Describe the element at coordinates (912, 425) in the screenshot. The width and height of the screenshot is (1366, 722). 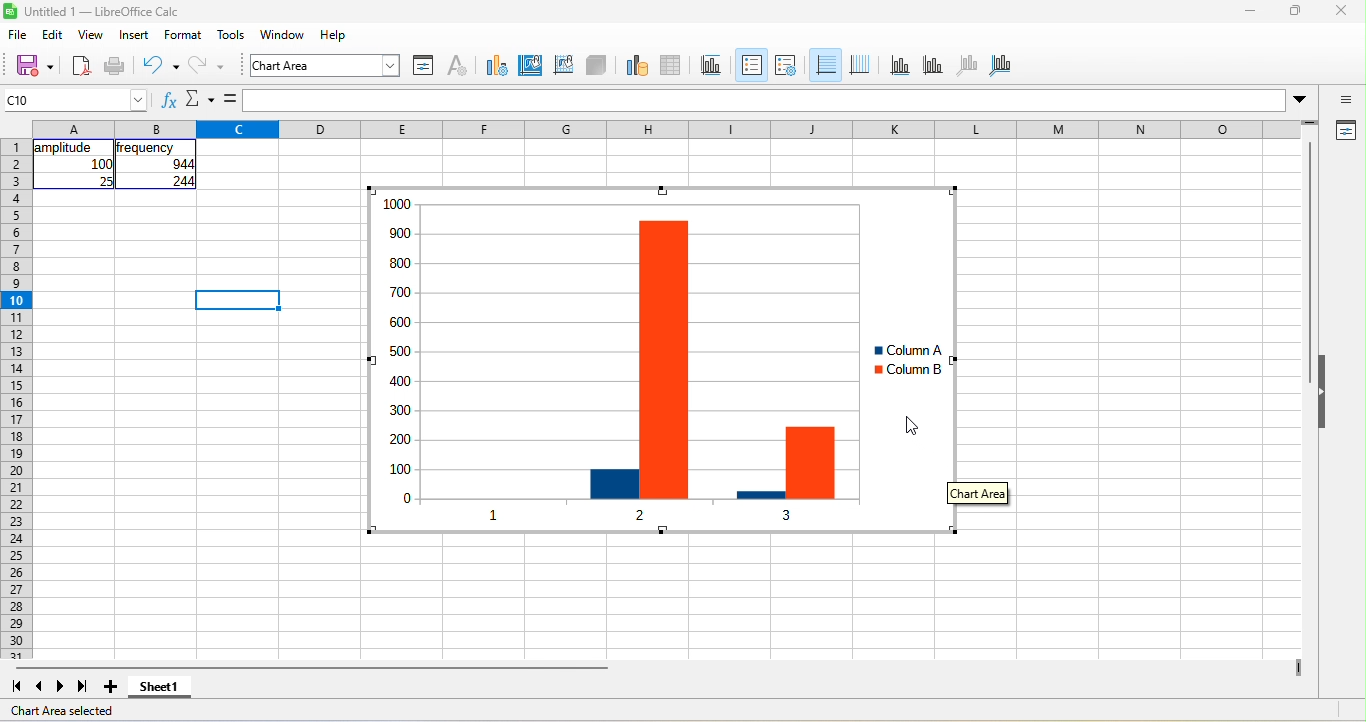
I see `cursor` at that location.